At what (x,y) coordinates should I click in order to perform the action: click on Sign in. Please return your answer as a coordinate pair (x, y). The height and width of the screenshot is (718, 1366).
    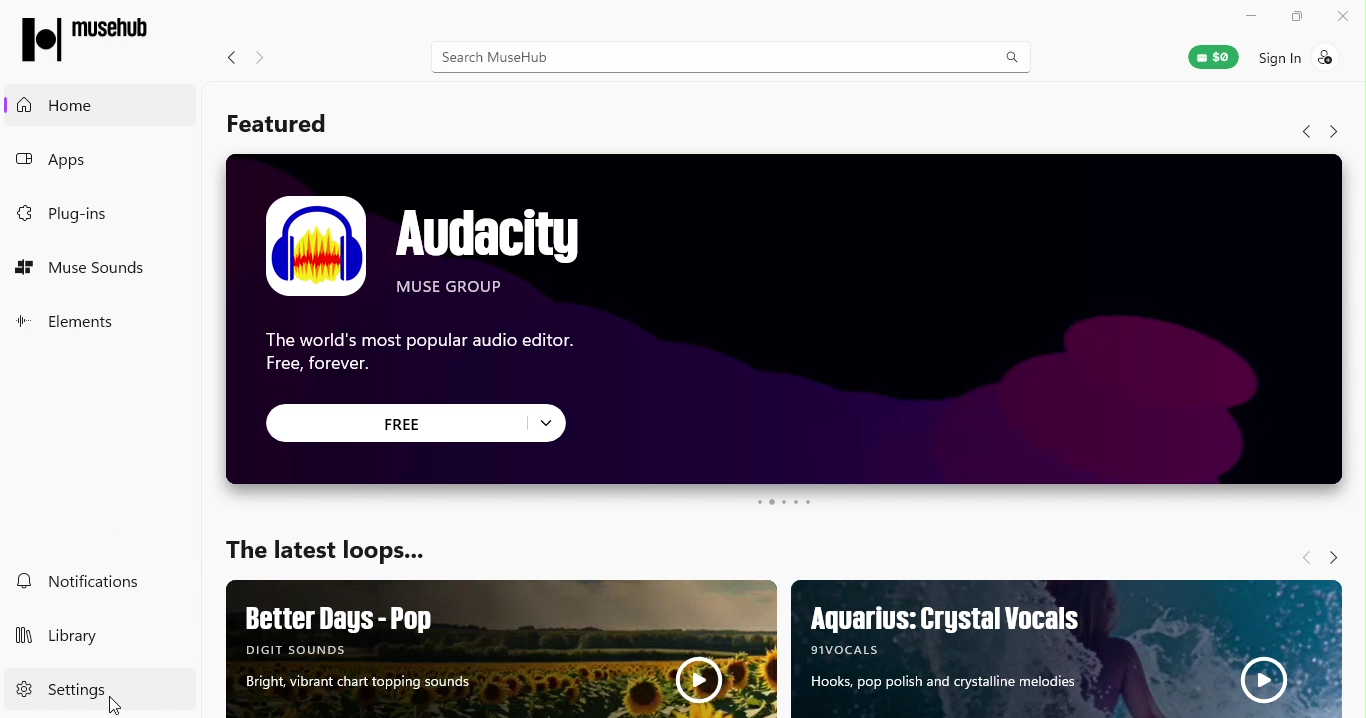
    Looking at the image, I should click on (1300, 57).